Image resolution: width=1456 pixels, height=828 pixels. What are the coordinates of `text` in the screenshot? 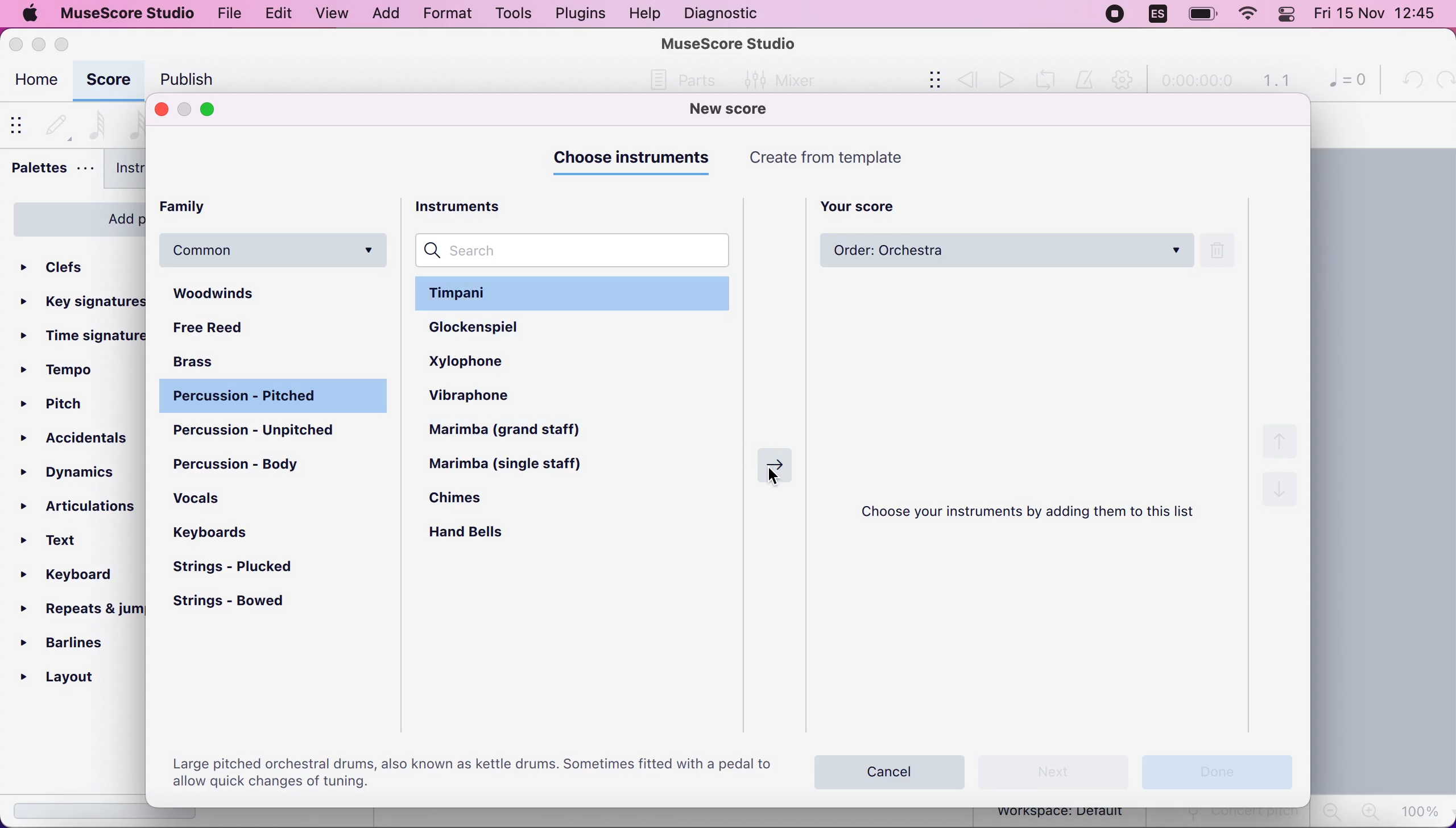 It's located at (64, 541).